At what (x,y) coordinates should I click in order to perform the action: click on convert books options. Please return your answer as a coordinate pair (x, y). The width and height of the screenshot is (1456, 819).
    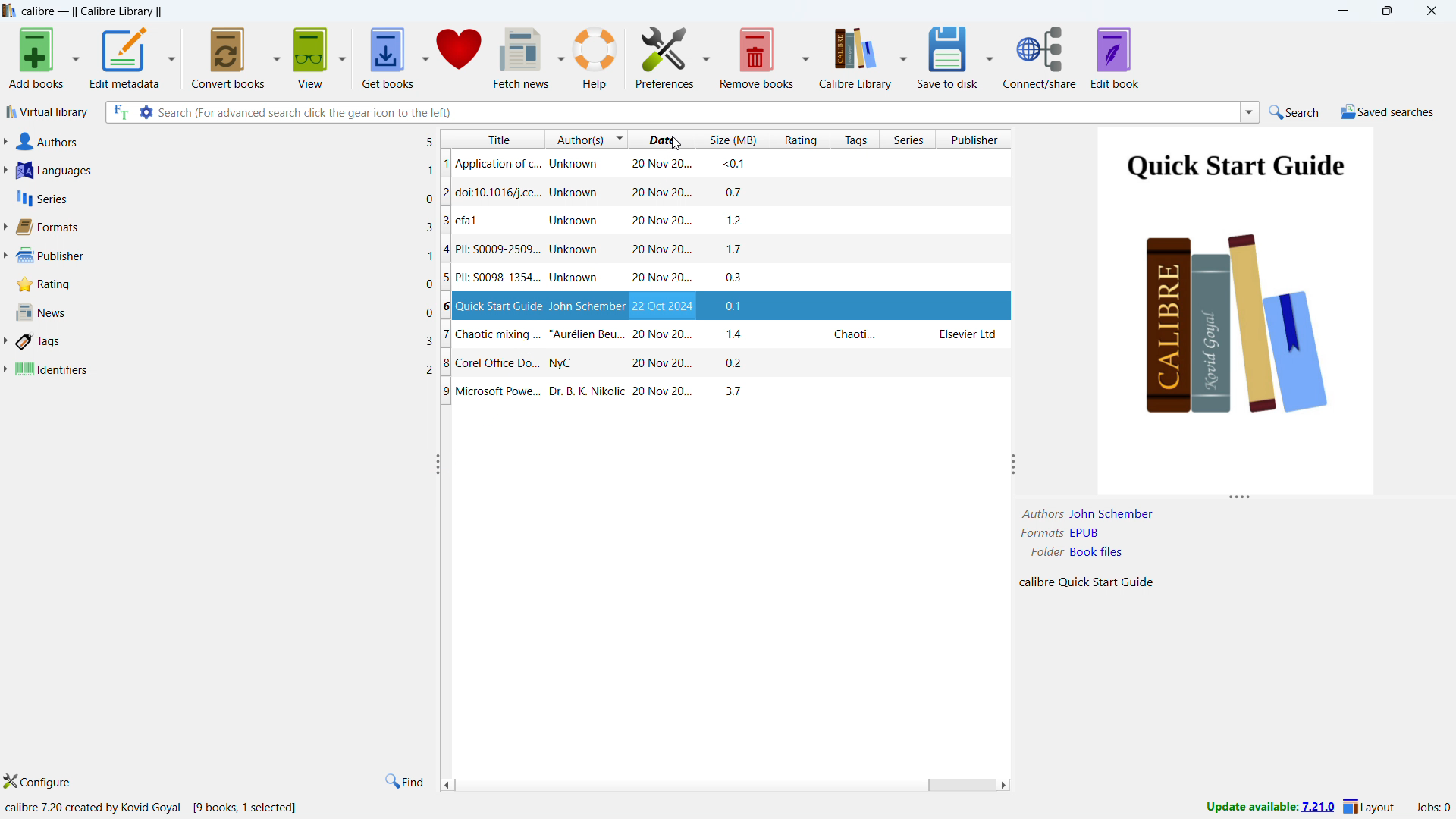
    Looking at the image, I should click on (278, 56).